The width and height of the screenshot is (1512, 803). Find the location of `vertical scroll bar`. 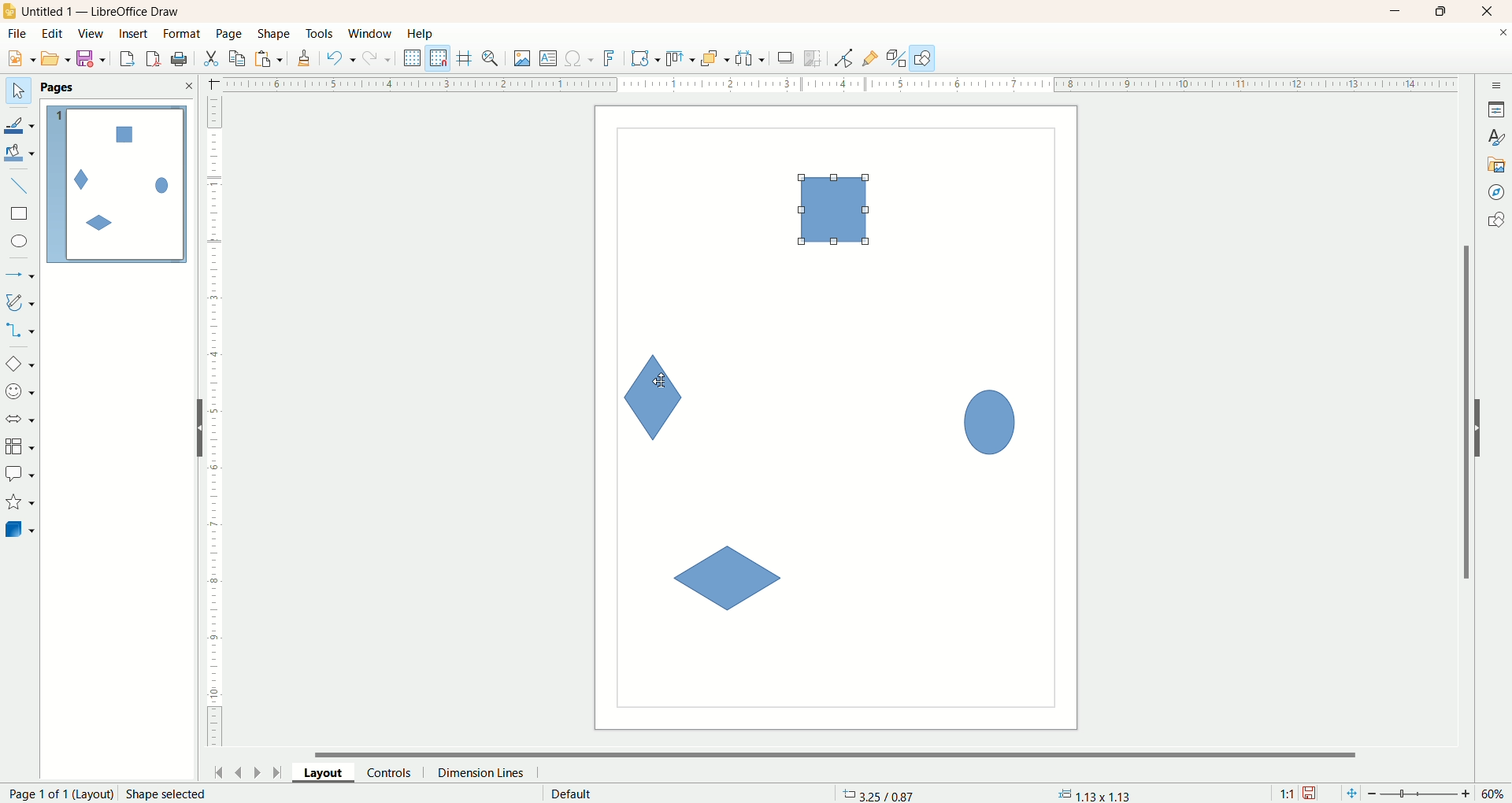

vertical scroll bar is located at coordinates (1463, 412).